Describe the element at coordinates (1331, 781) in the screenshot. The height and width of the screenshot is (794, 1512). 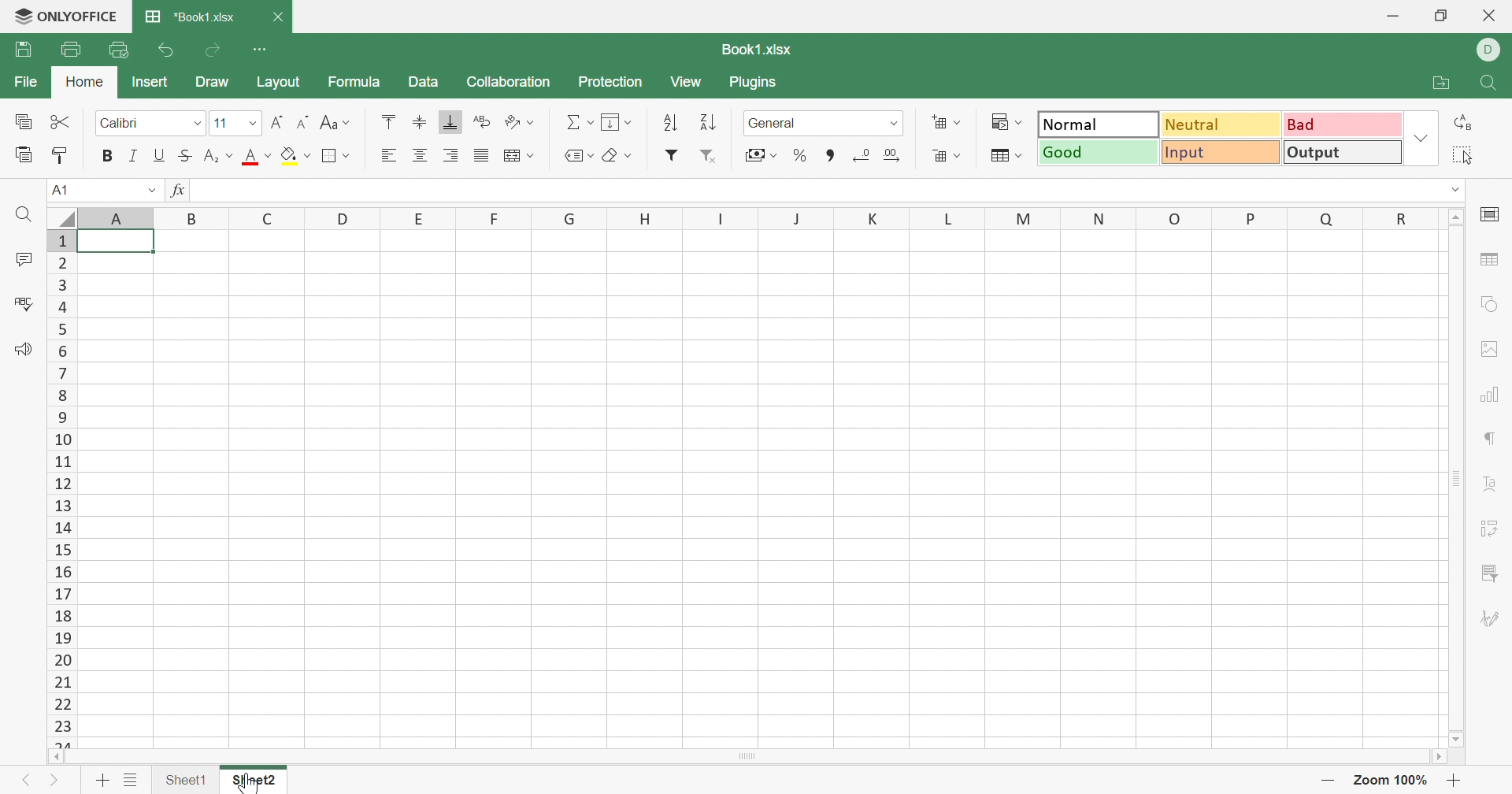
I see `-` at that location.